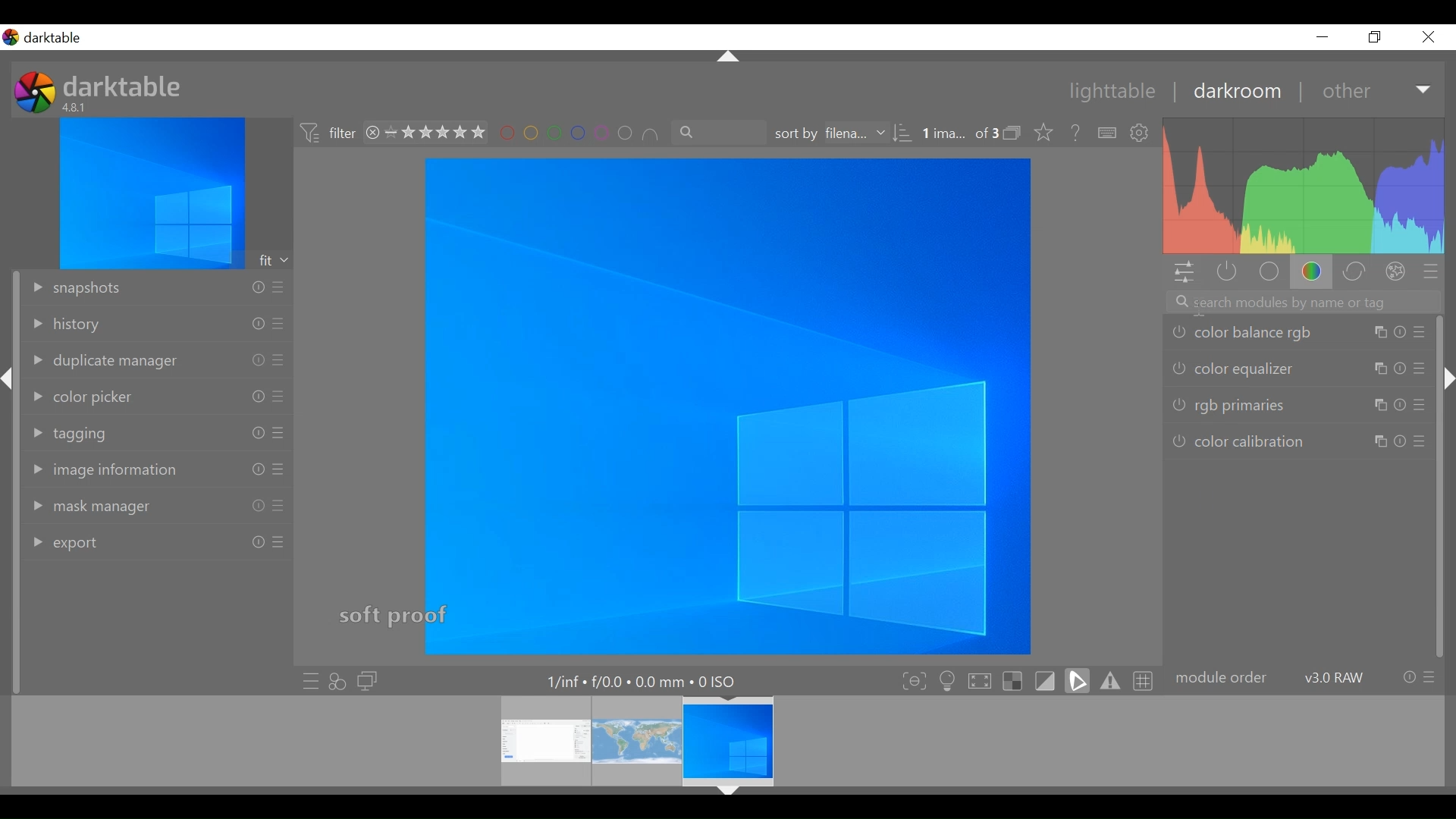 This screenshot has height=819, width=1456. Describe the element at coordinates (1323, 37) in the screenshot. I see `minimize` at that location.